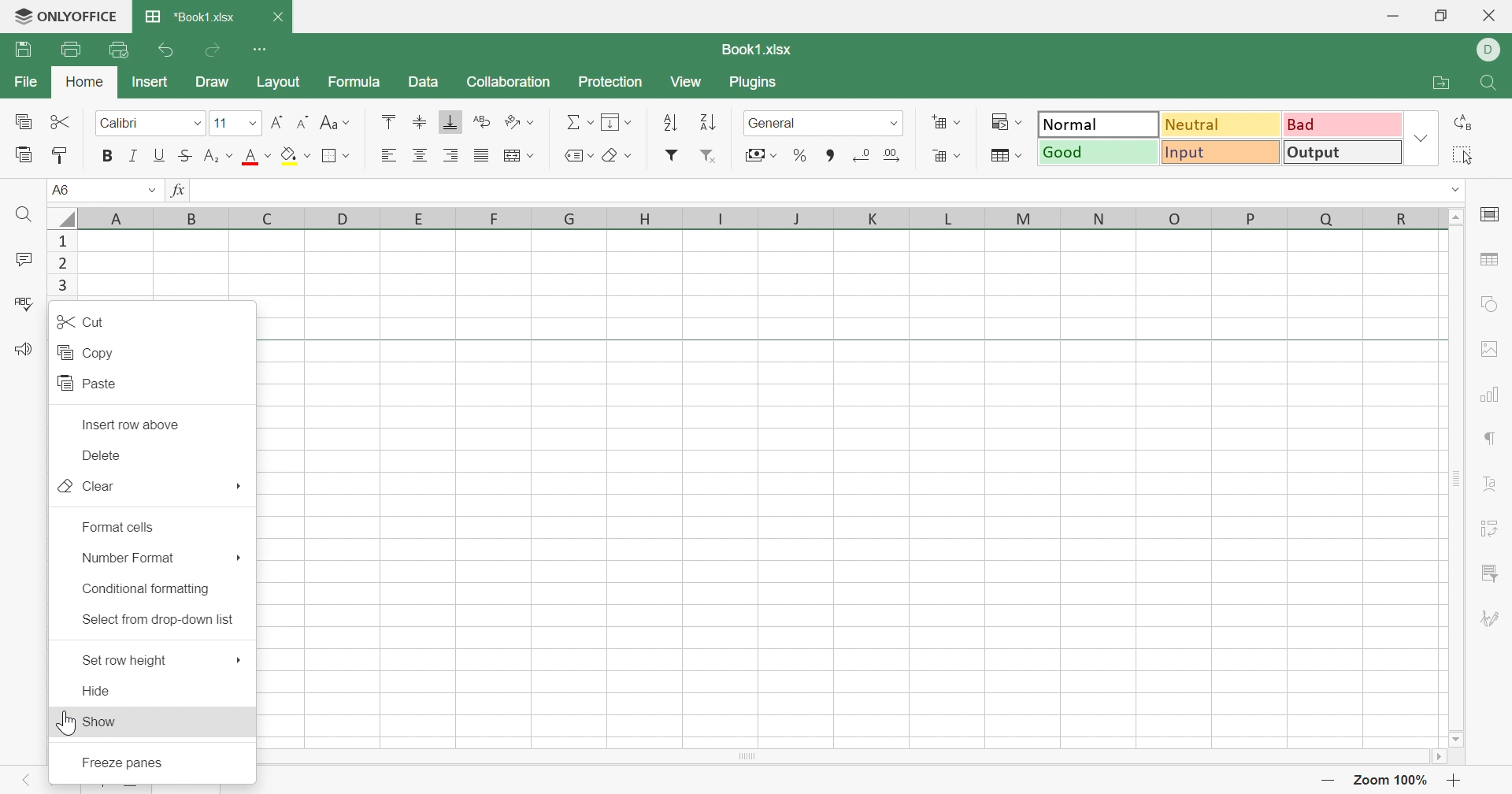  What do you see at coordinates (687, 78) in the screenshot?
I see `View` at bounding box center [687, 78].